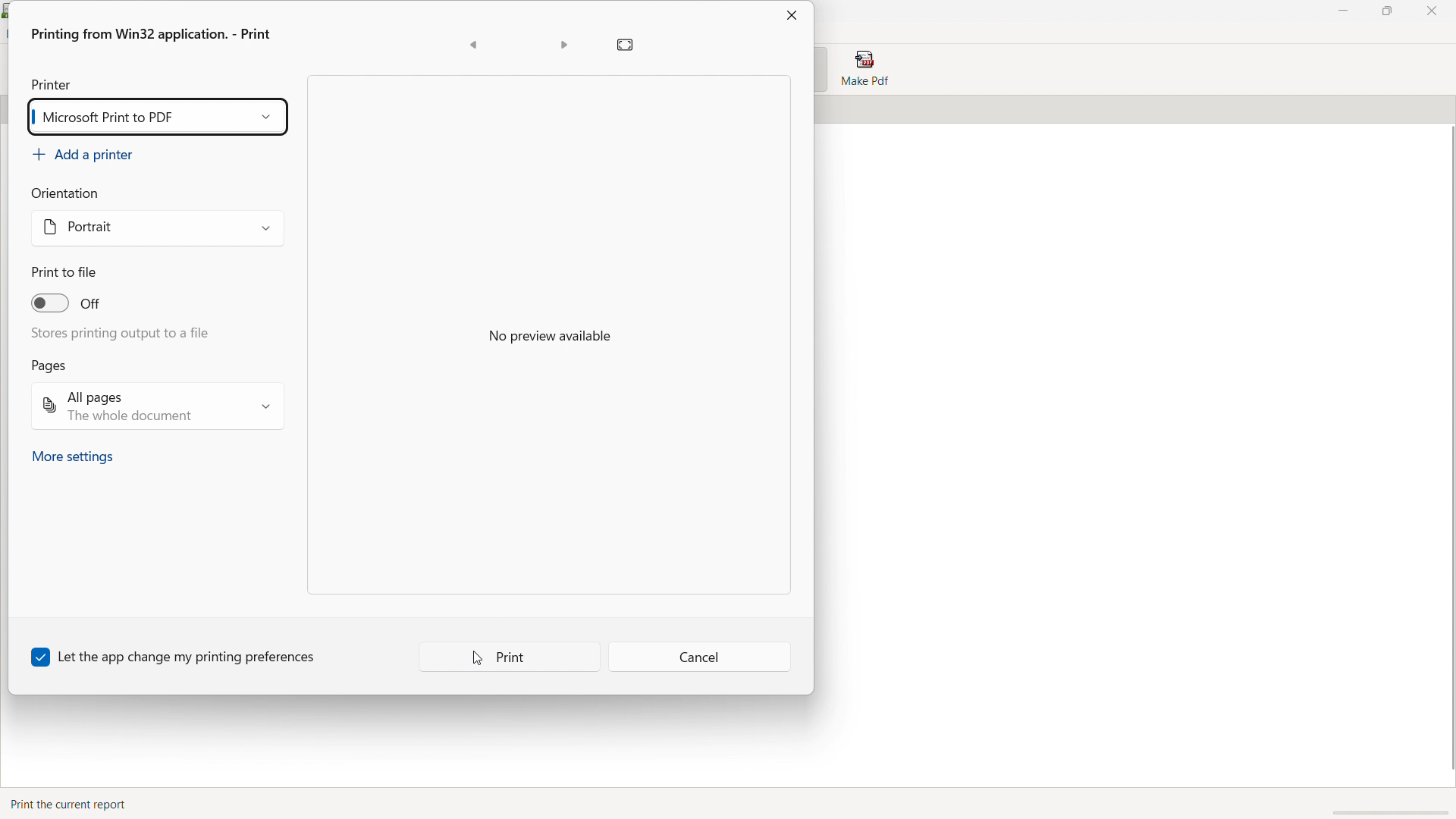 This screenshot has width=1456, height=819. I want to click on Print to file, so click(64, 272).